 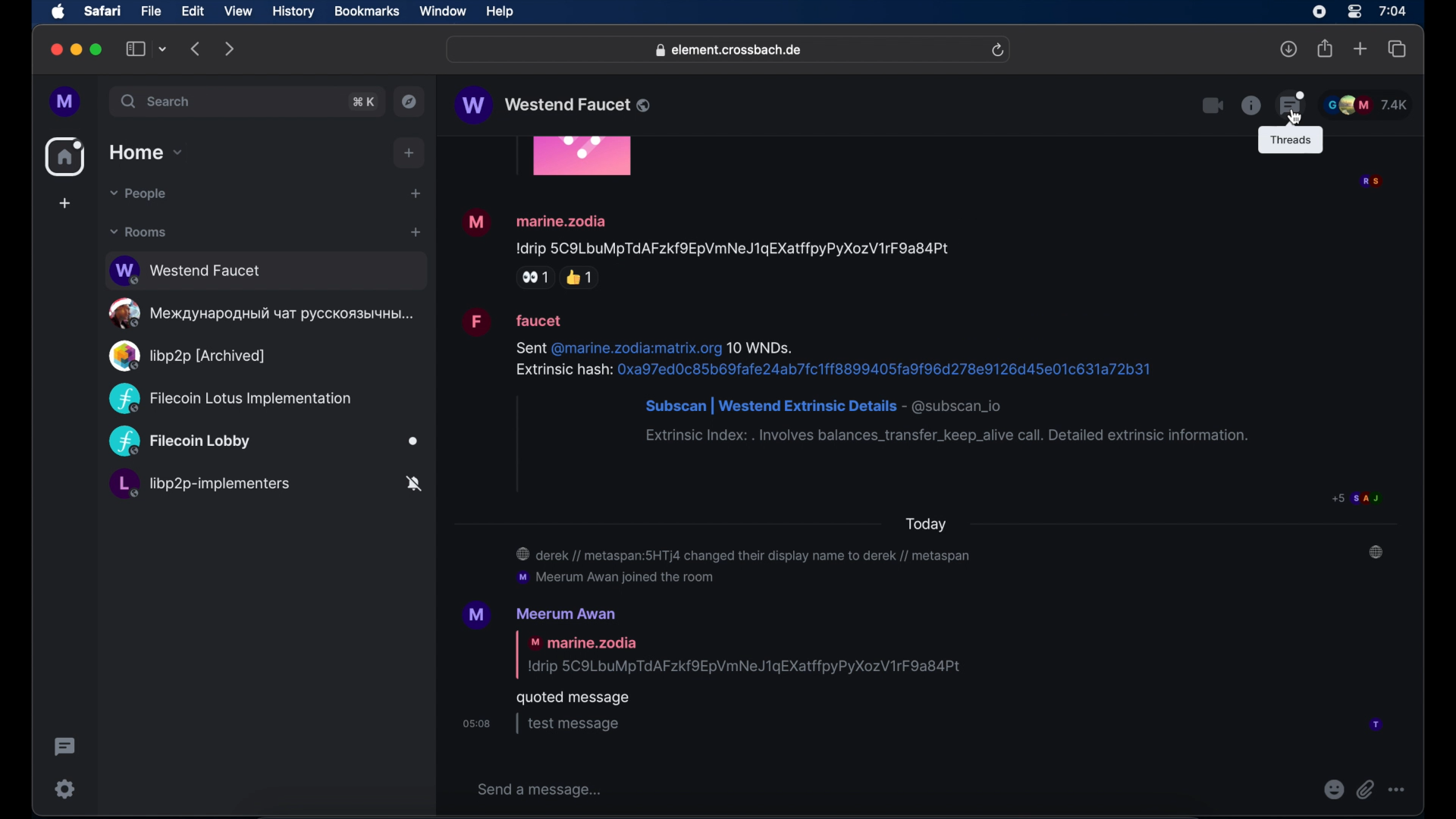 What do you see at coordinates (409, 153) in the screenshot?
I see `add` at bounding box center [409, 153].